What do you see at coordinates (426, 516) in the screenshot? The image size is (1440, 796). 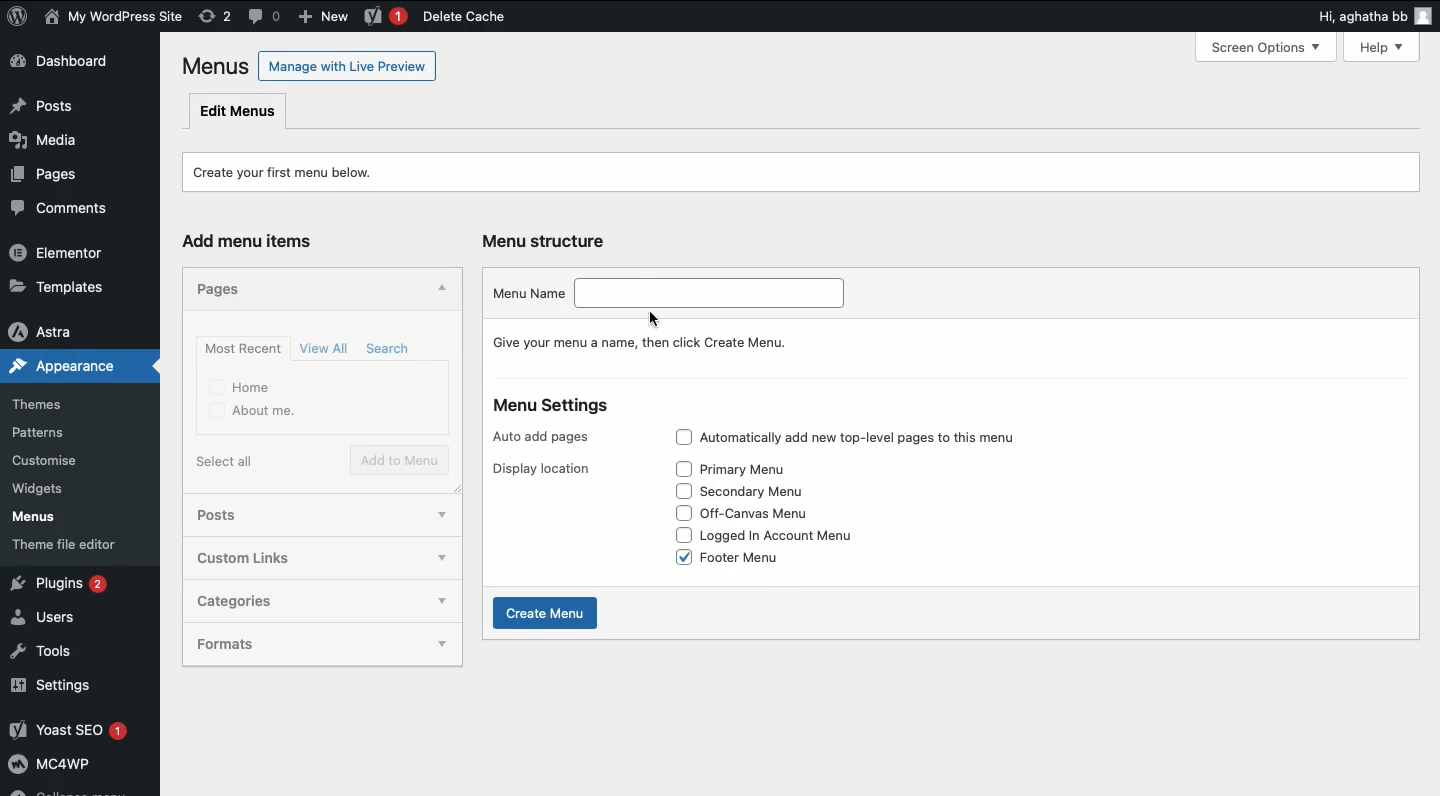 I see `show` at bounding box center [426, 516].